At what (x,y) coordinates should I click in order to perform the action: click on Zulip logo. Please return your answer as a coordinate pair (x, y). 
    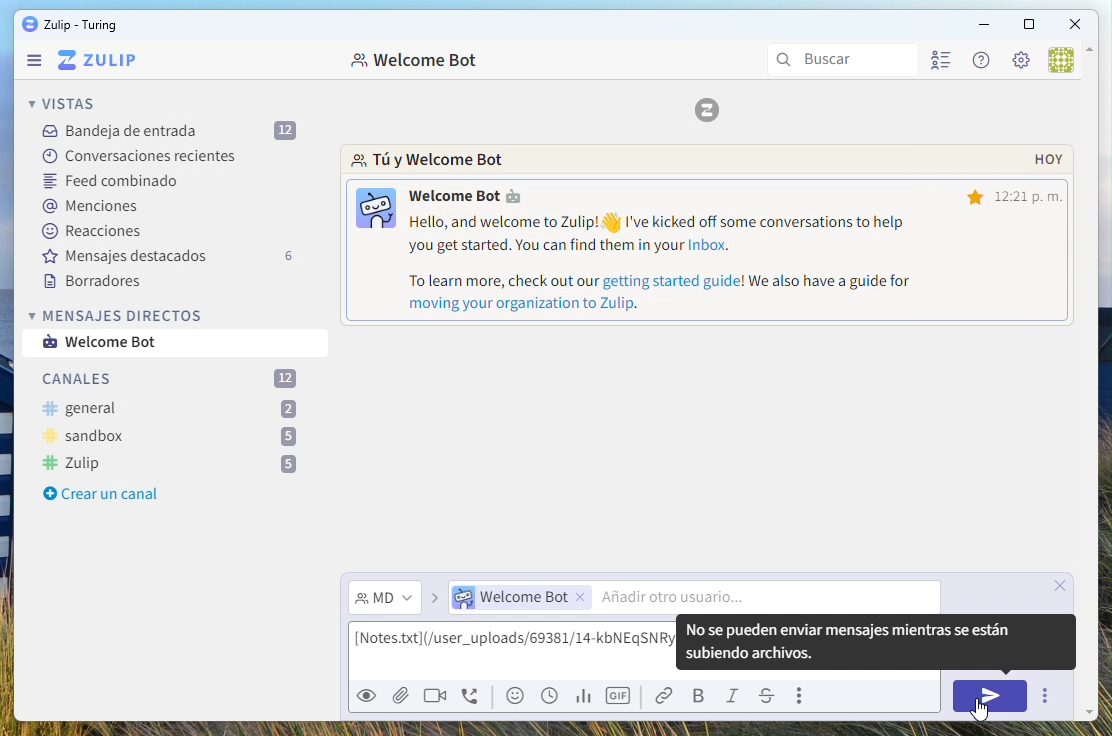
    Looking at the image, I should click on (97, 61).